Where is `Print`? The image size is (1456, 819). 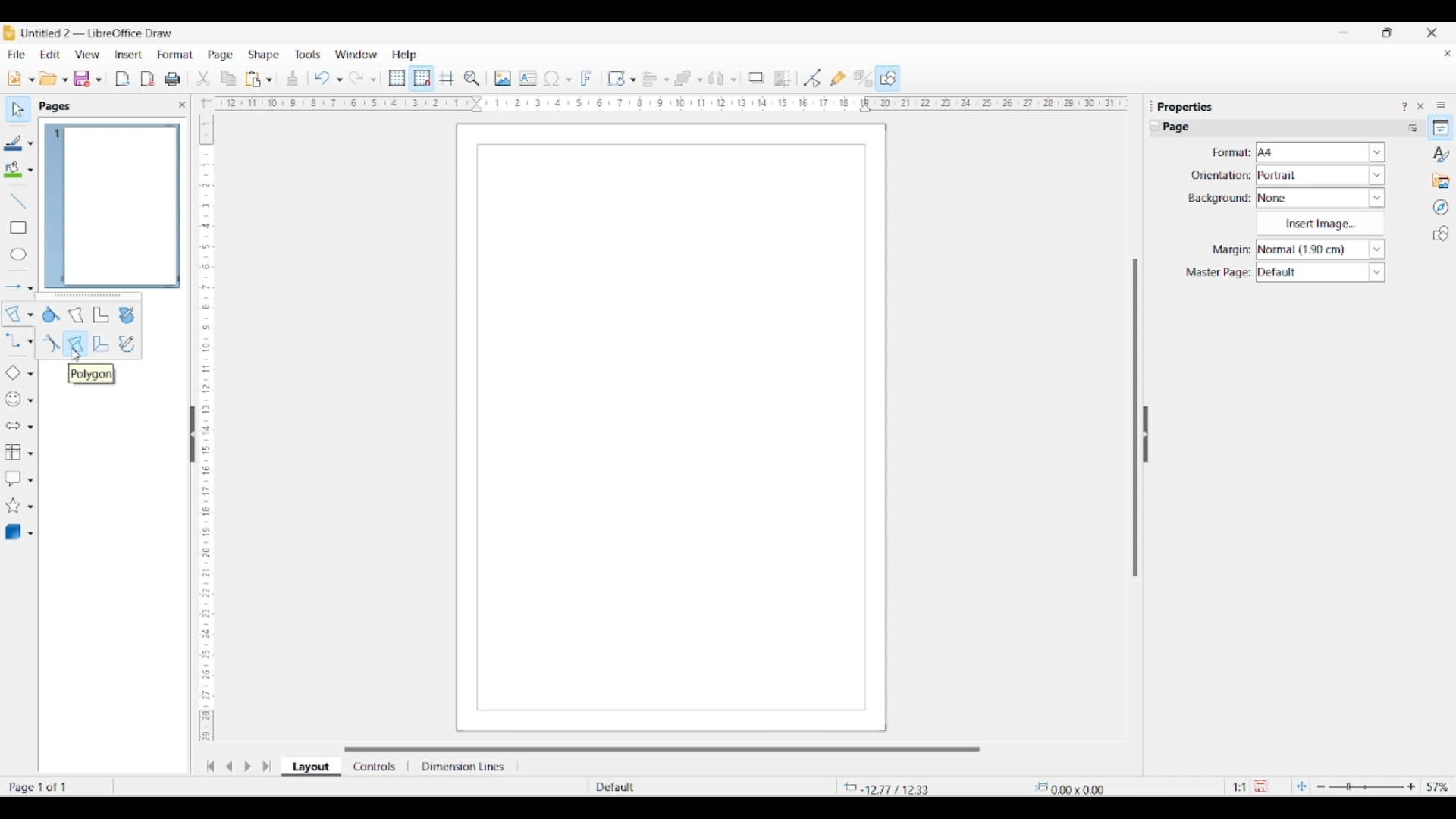 Print is located at coordinates (172, 79).